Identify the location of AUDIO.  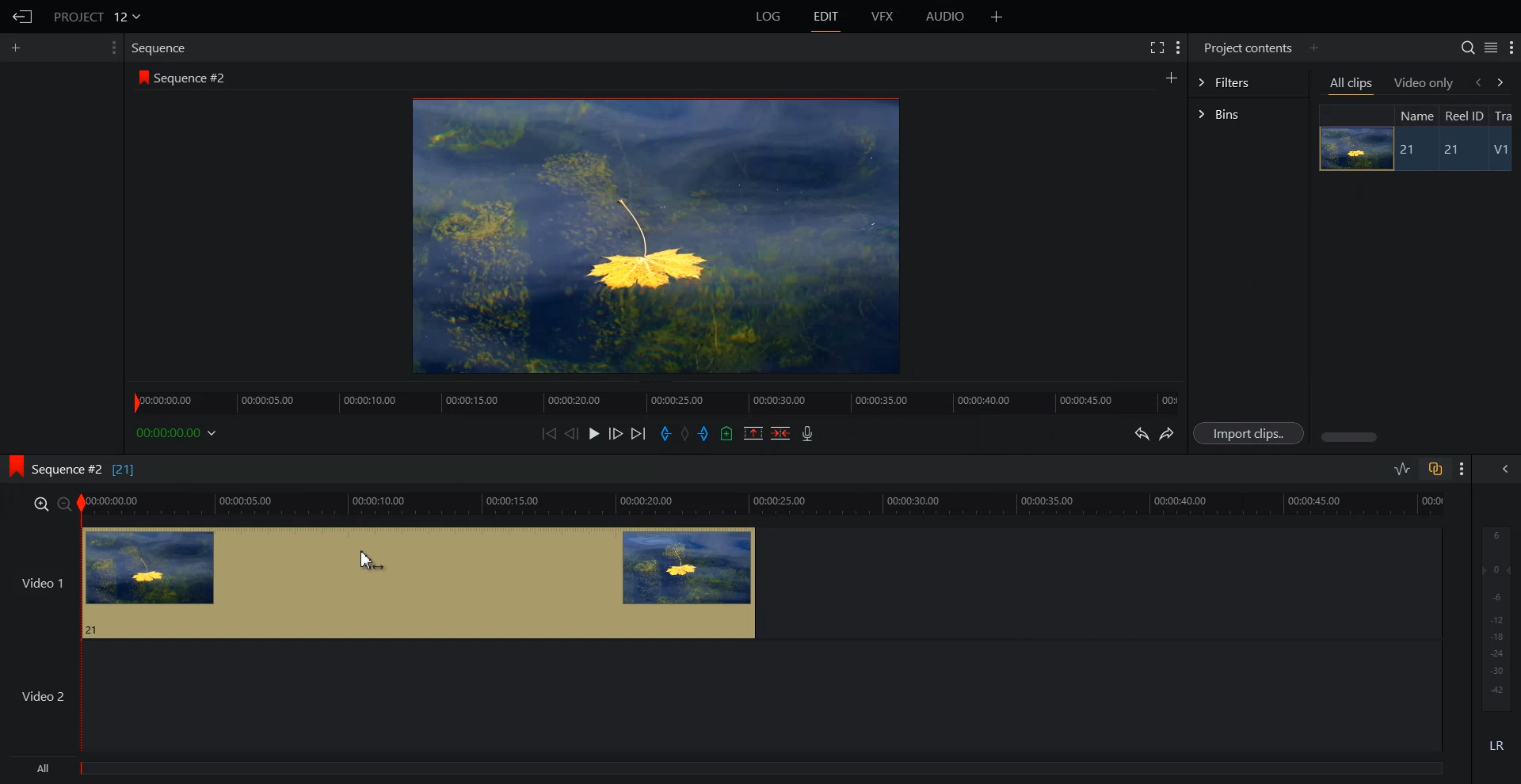
(947, 17).